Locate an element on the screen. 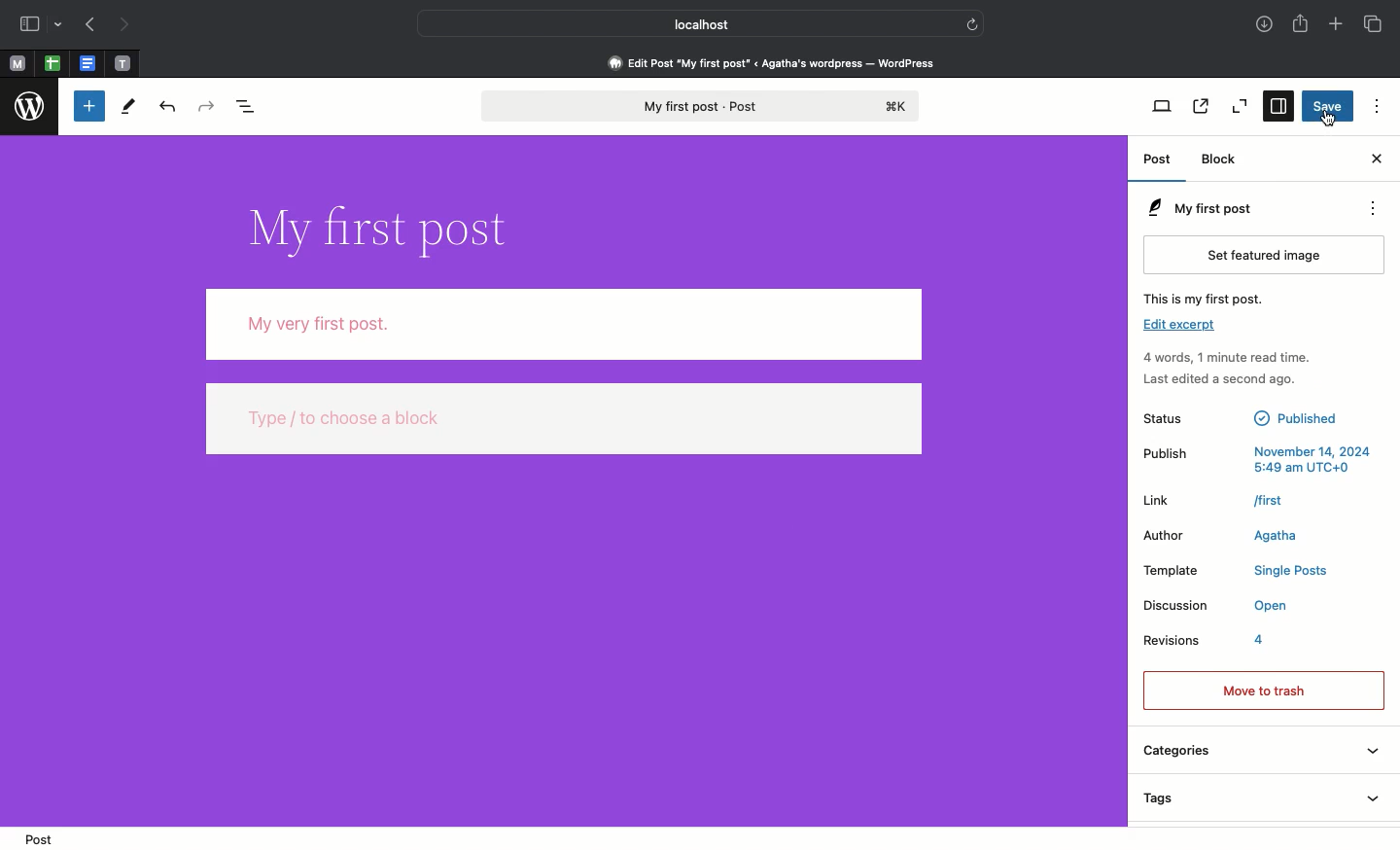 Image resolution: width=1400 pixels, height=850 pixels. Document overview is located at coordinates (253, 108).